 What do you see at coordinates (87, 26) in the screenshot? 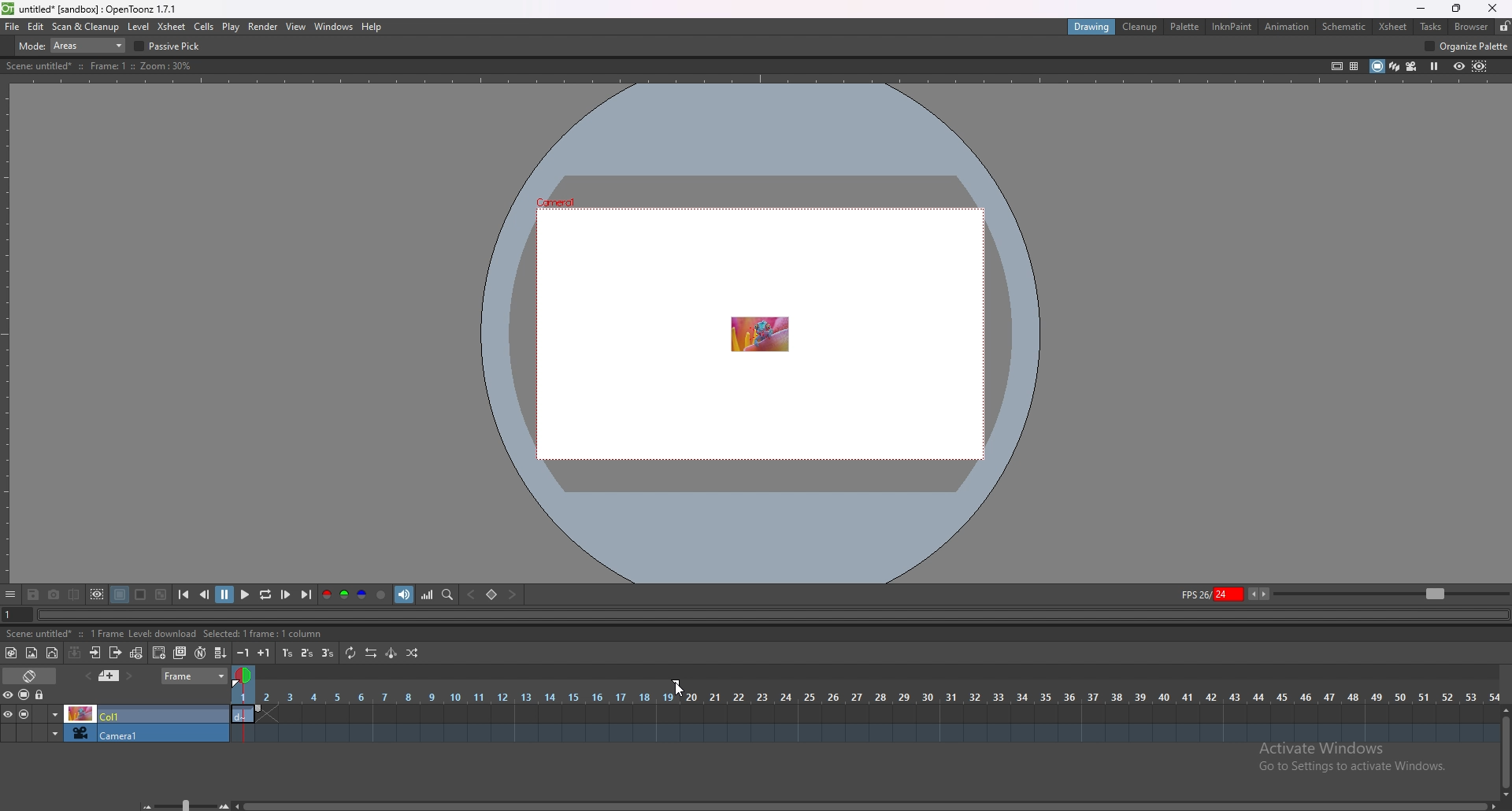
I see `scan and cleanup` at bounding box center [87, 26].